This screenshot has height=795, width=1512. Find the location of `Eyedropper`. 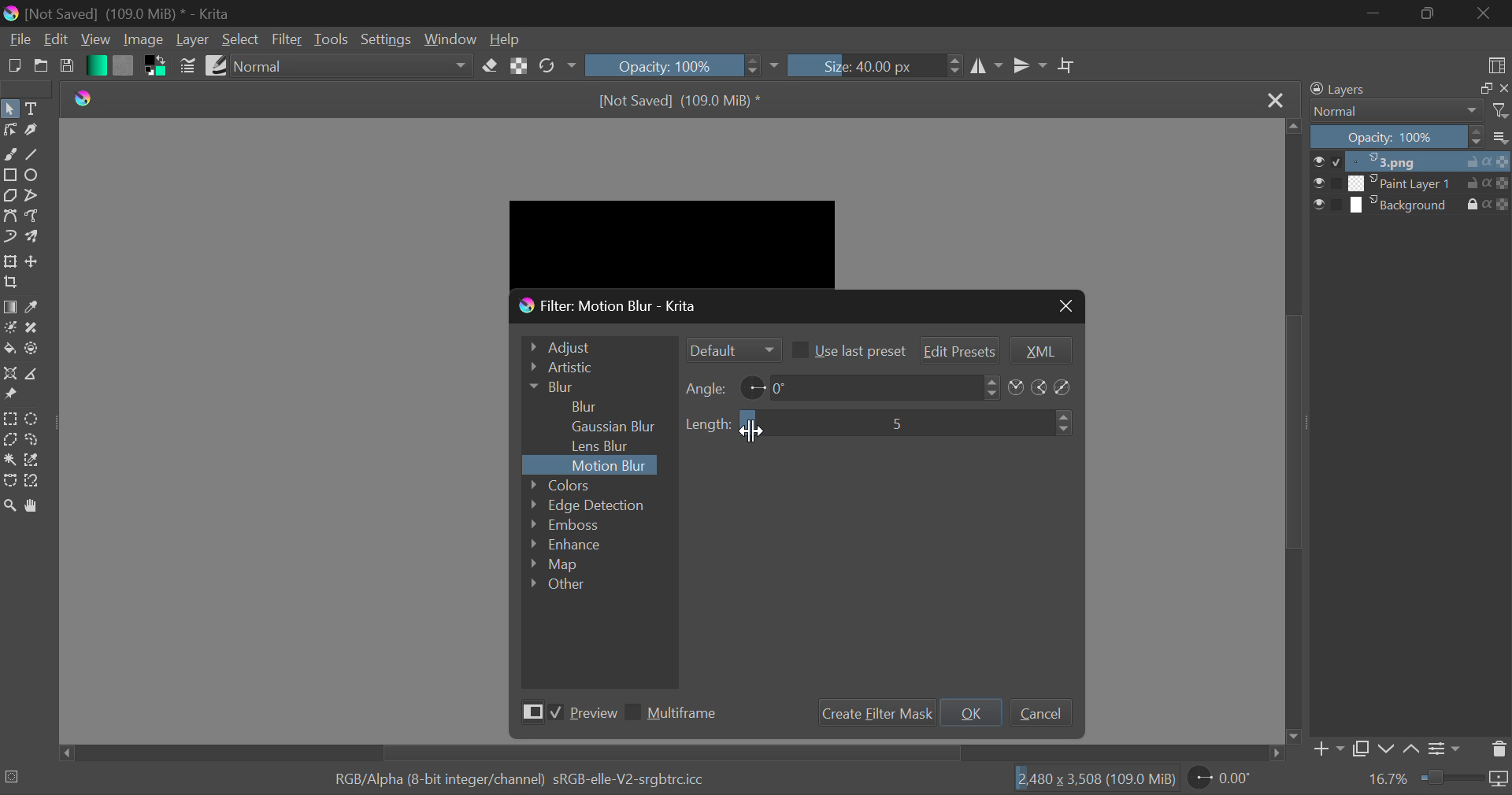

Eyedropper is located at coordinates (35, 307).